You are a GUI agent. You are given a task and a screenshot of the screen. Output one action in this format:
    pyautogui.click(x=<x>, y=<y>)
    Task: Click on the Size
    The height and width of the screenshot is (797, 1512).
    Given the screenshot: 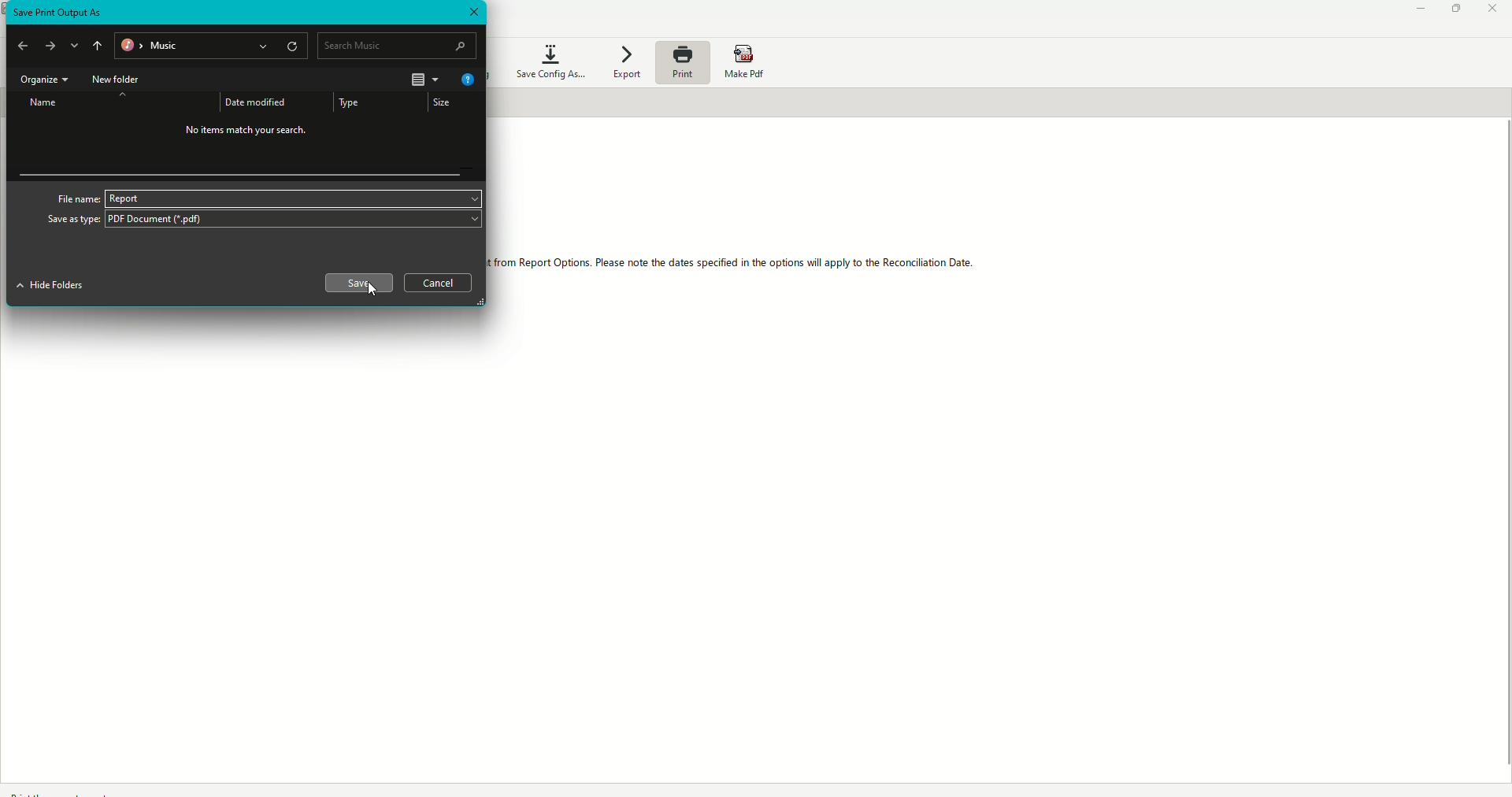 What is the action you would take?
    pyautogui.click(x=443, y=104)
    